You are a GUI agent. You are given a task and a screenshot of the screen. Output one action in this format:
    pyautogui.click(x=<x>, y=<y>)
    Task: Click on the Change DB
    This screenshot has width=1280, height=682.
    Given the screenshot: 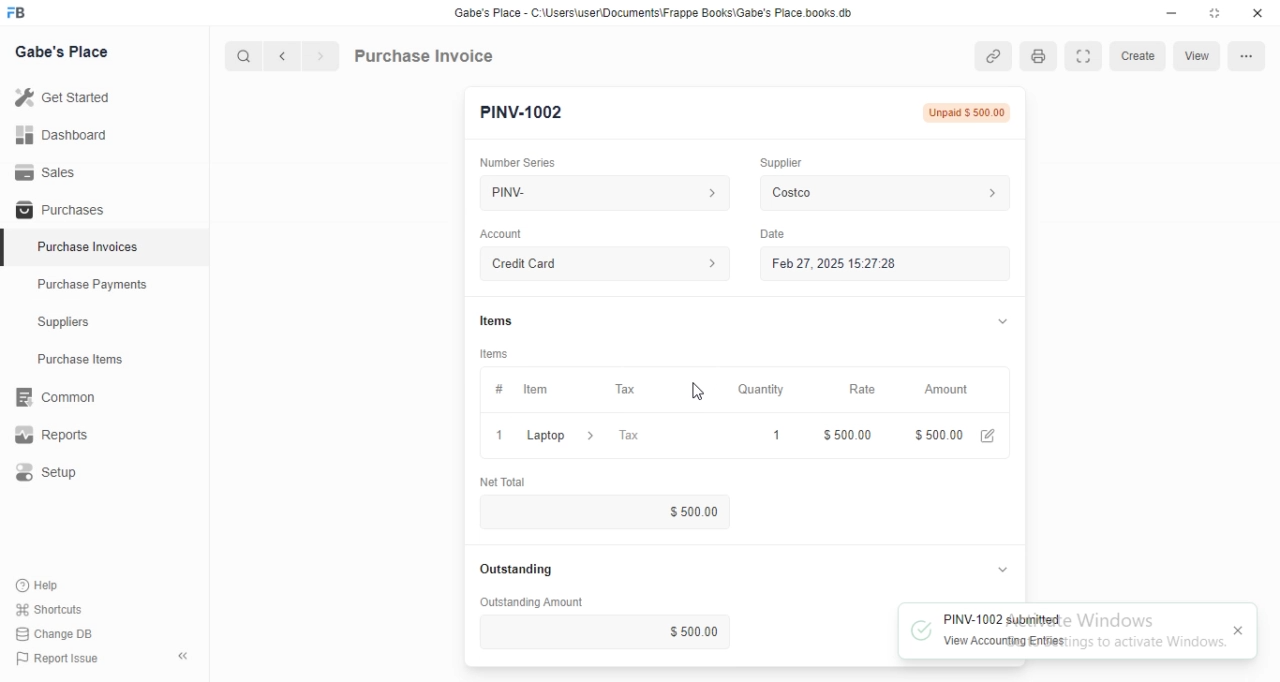 What is the action you would take?
    pyautogui.click(x=54, y=634)
    